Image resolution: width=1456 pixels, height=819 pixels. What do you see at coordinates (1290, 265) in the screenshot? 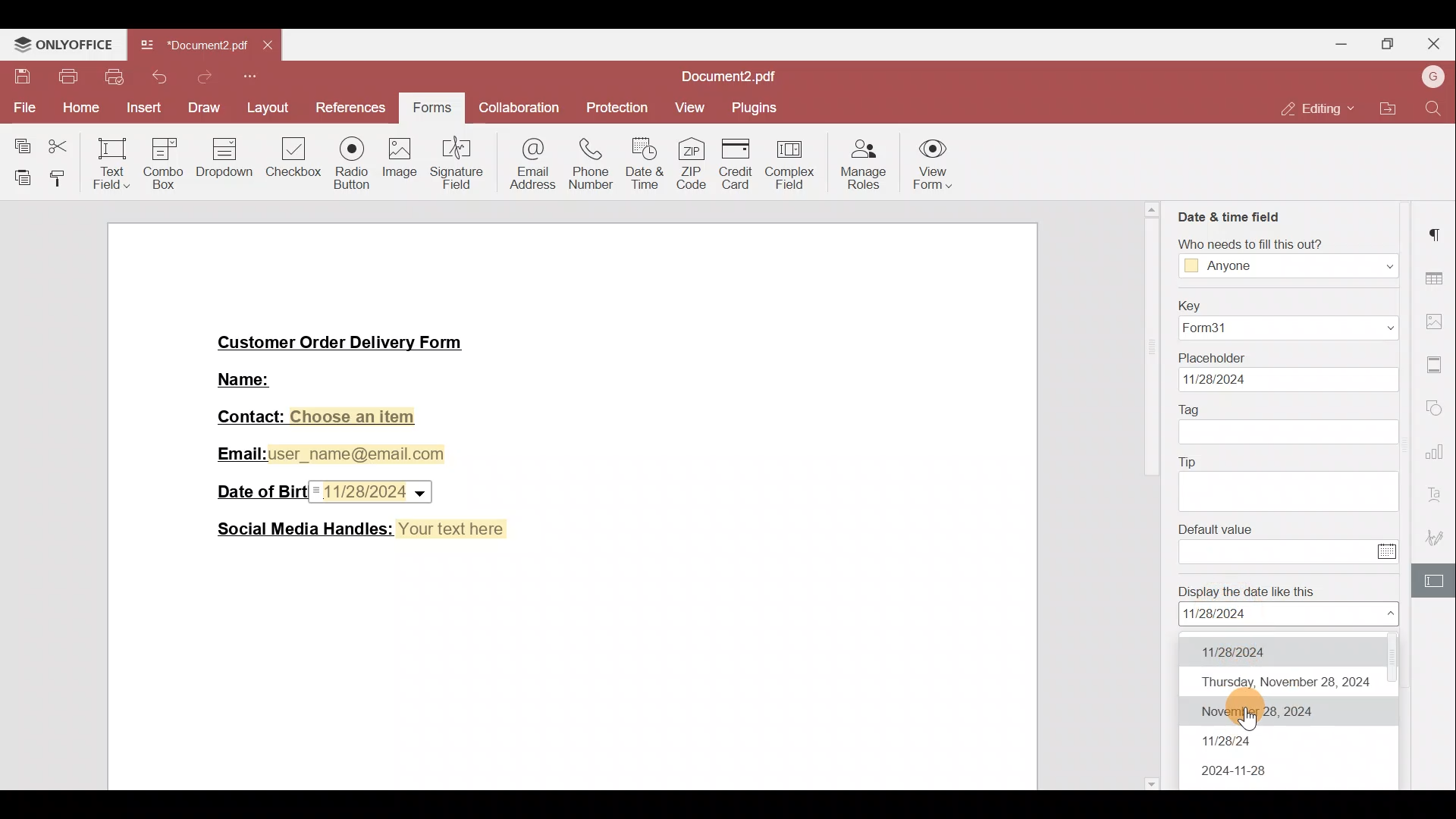
I see `Anyone` at bounding box center [1290, 265].